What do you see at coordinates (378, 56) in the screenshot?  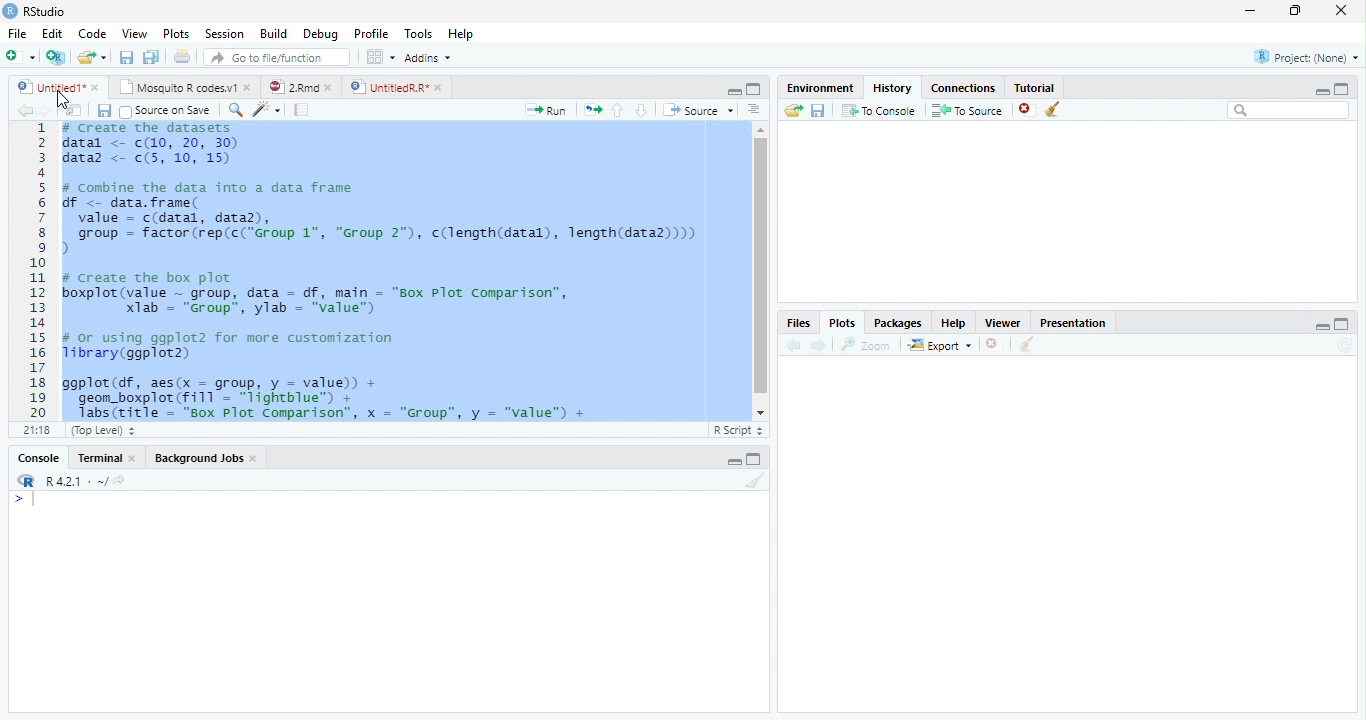 I see `Workspace panes` at bounding box center [378, 56].